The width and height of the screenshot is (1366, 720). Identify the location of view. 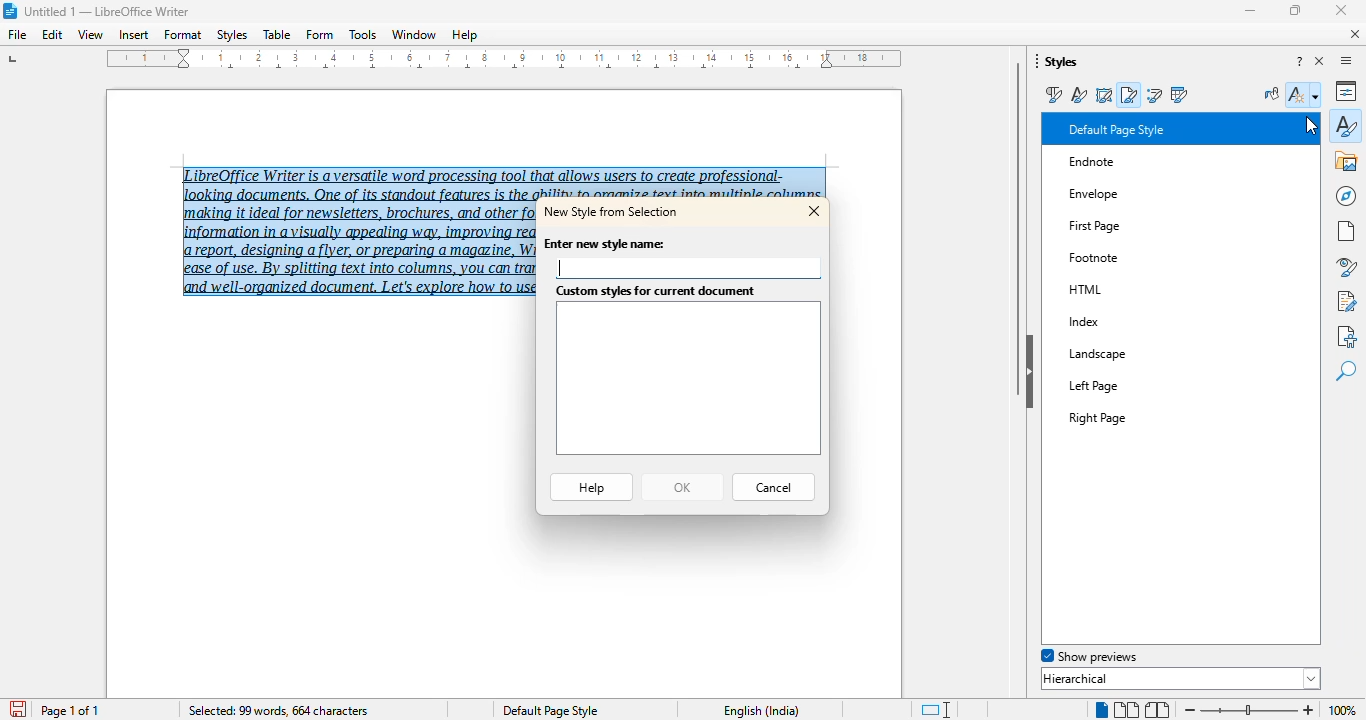
(90, 34).